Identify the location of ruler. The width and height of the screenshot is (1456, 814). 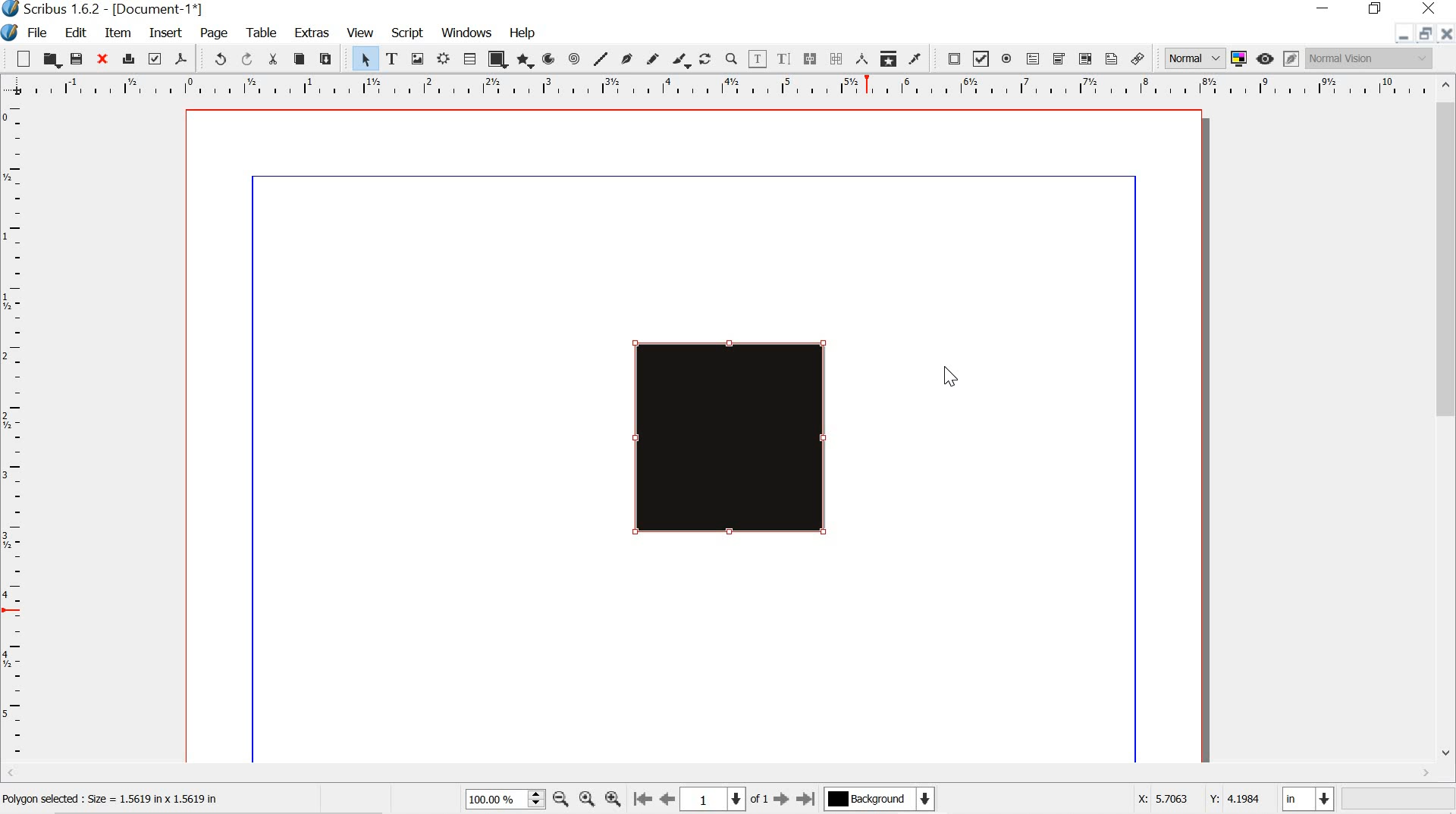
(716, 86).